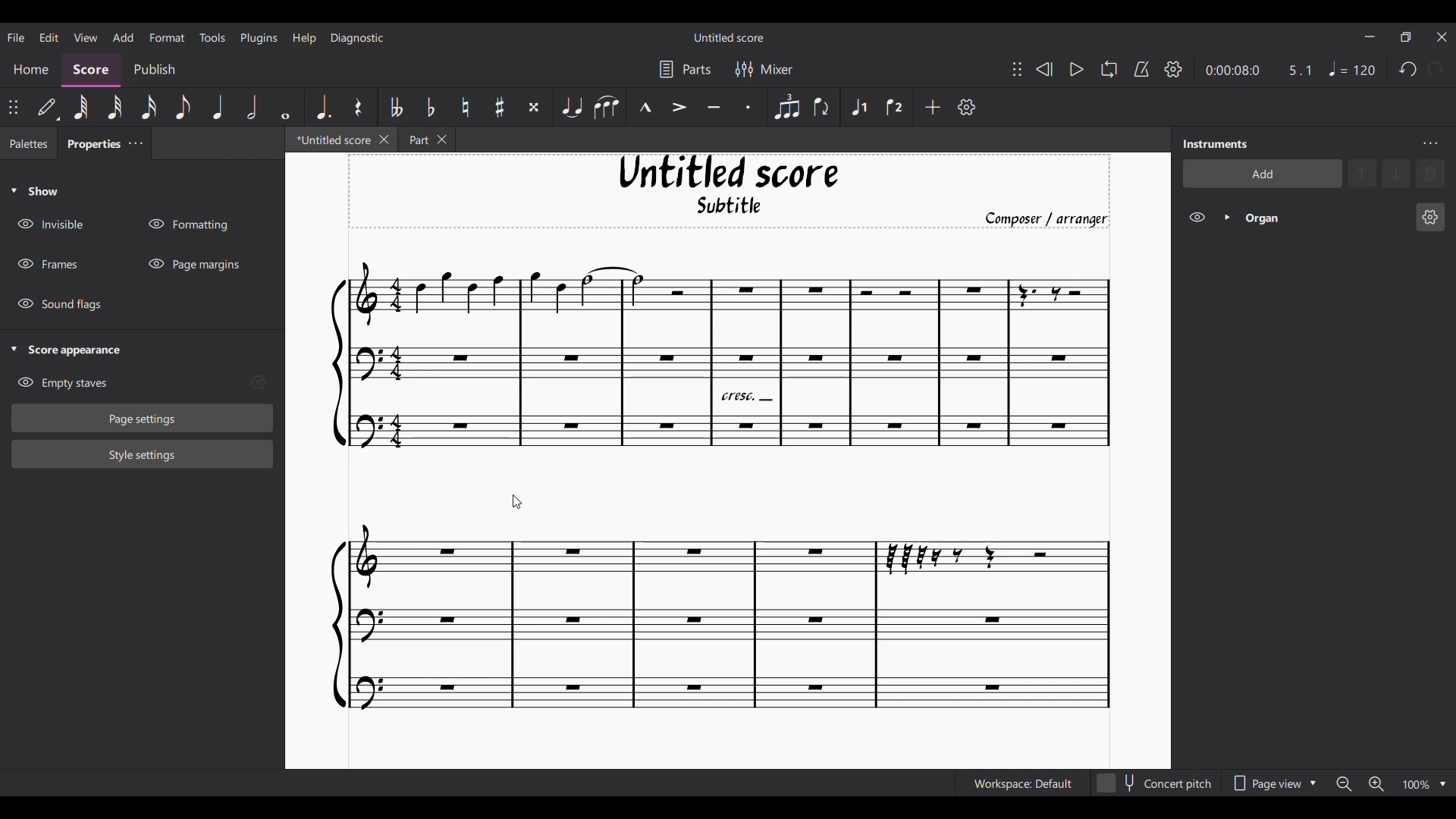 This screenshot has width=1456, height=819. Describe the element at coordinates (729, 172) in the screenshot. I see `Untitled Score` at that location.